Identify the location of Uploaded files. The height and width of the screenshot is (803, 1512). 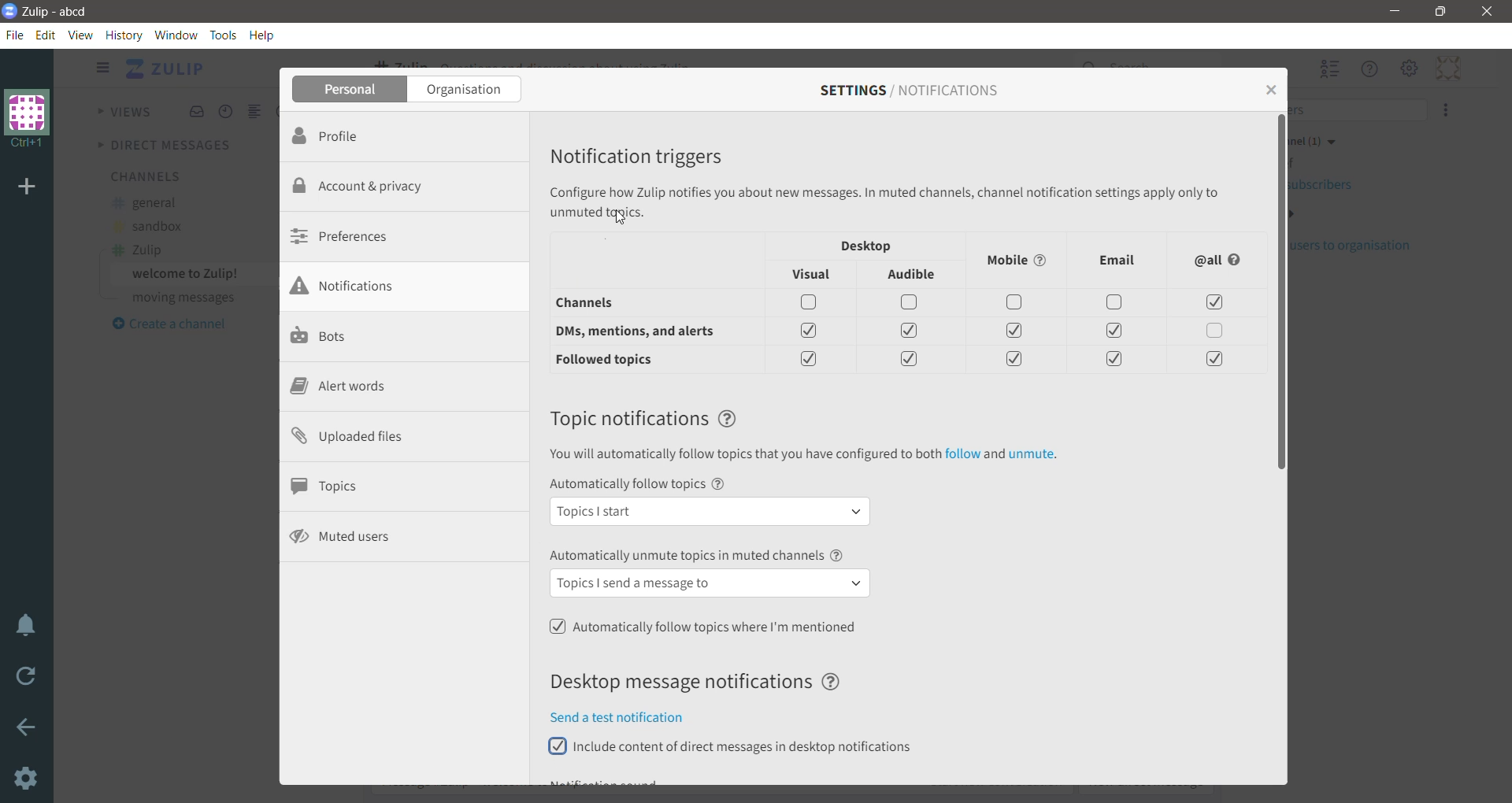
(360, 438).